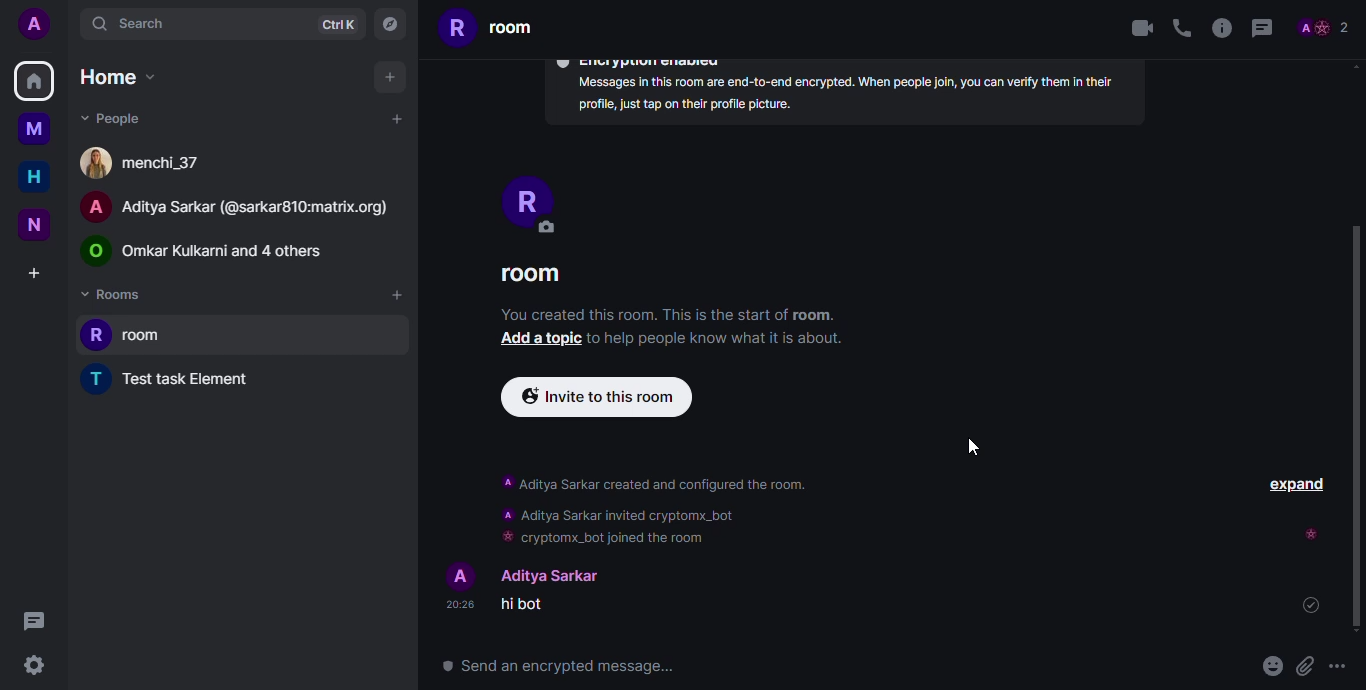 The width and height of the screenshot is (1366, 690). Describe the element at coordinates (1268, 664) in the screenshot. I see `emoji` at that location.